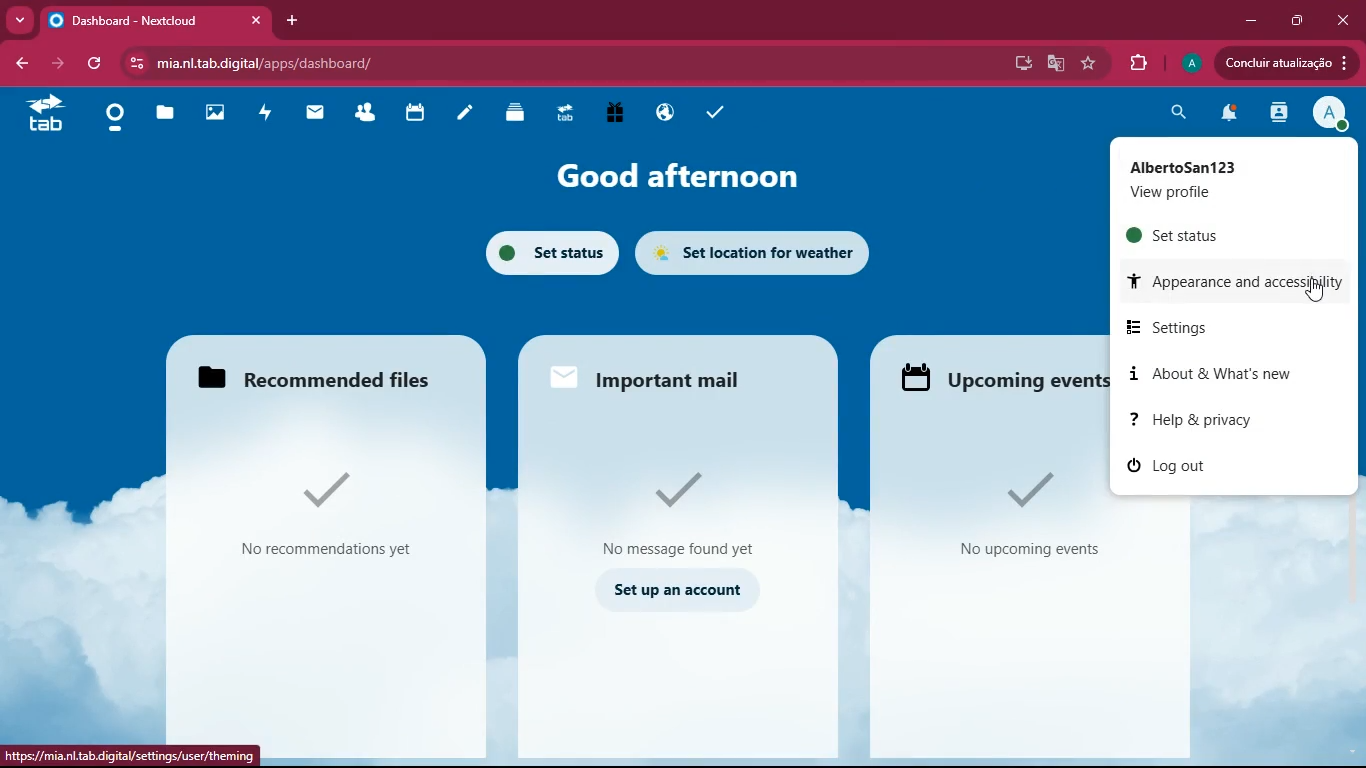  Describe the element at coordinates (271, 116) in the screenshot. I see `activity` at that location.